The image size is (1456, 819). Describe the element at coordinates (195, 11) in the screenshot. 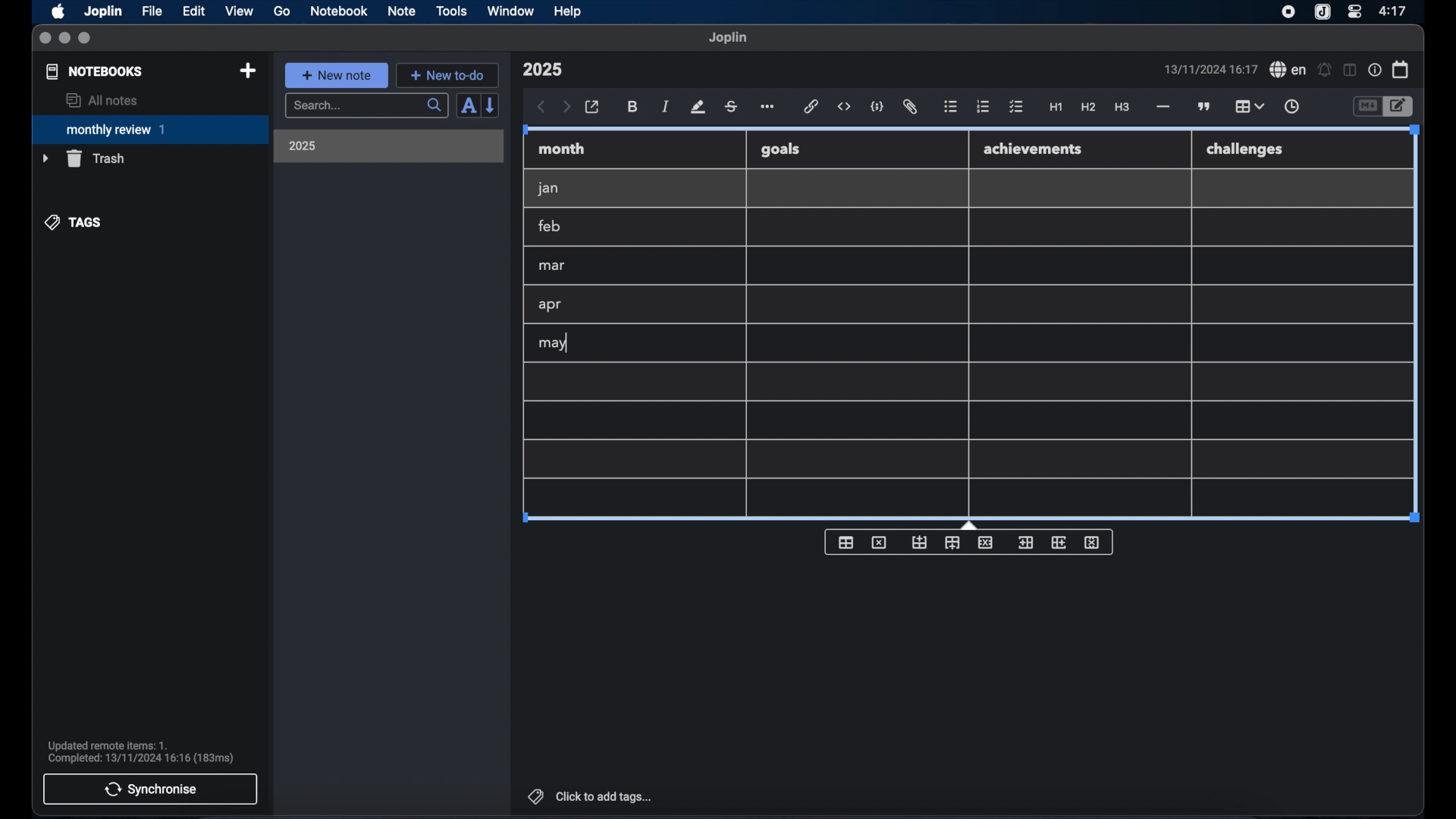

I see `edit` at that location.